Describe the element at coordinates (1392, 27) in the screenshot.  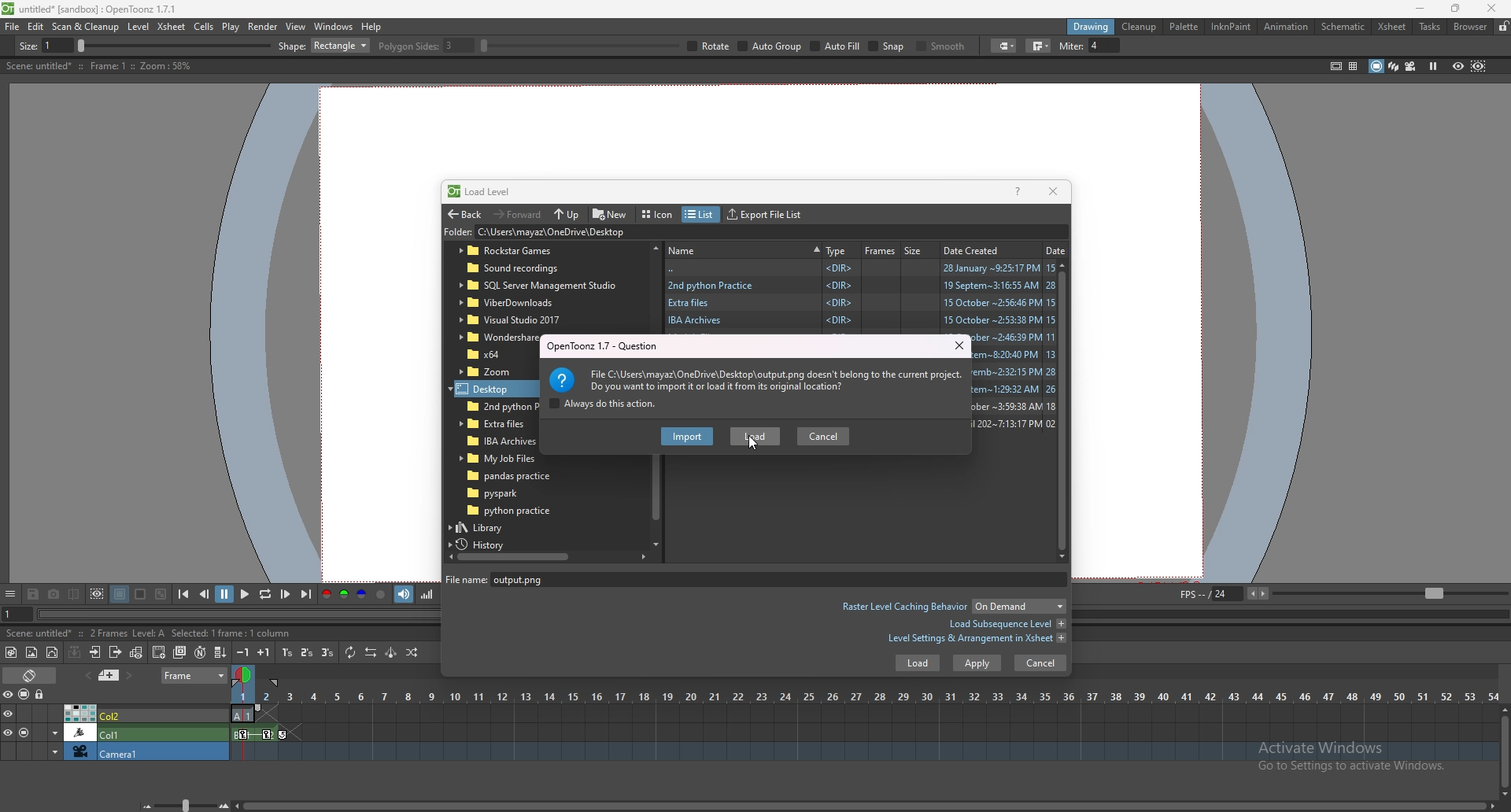
I see `xsheet` at that location.